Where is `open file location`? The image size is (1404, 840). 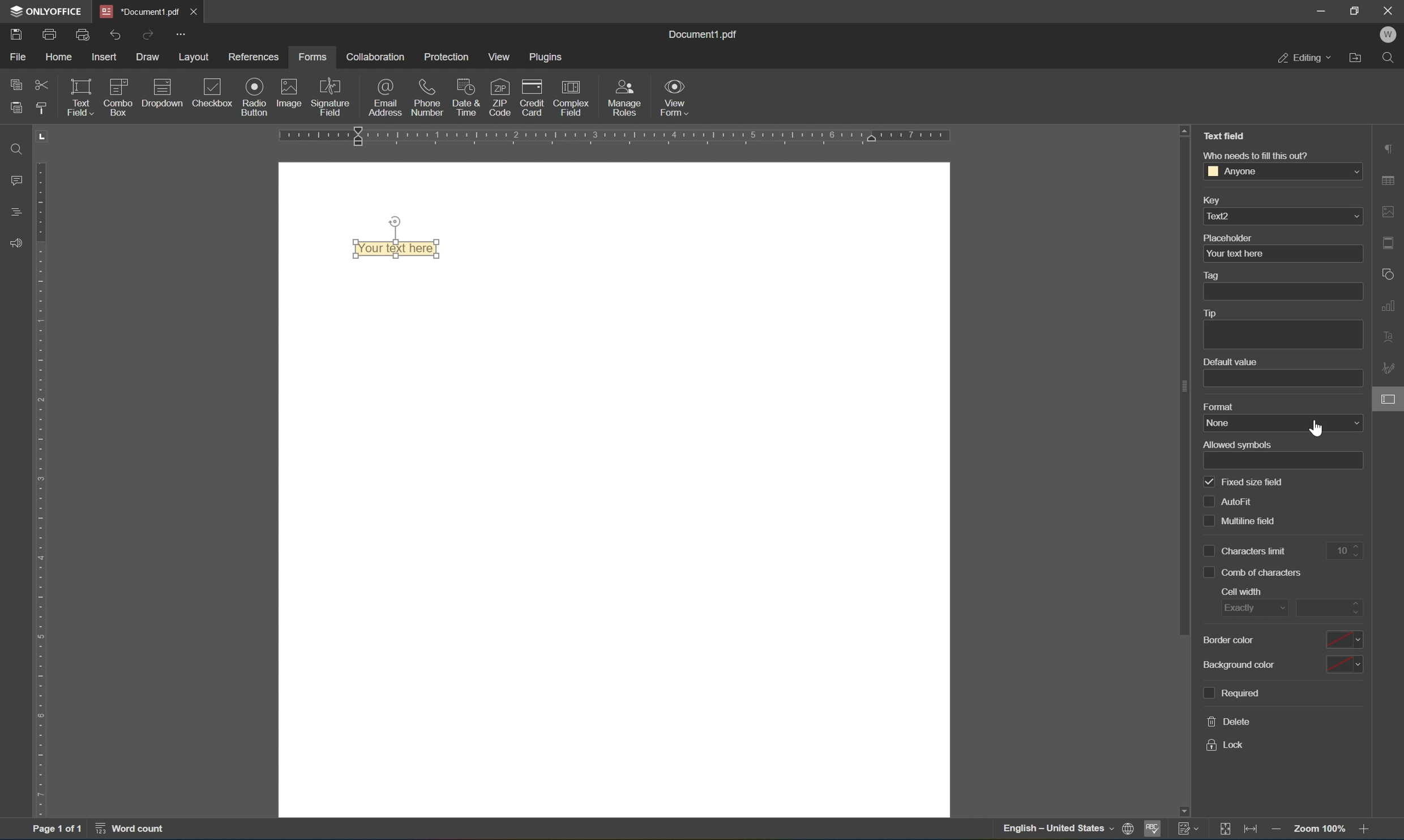
open file location is located at coordinates (1358, 59).